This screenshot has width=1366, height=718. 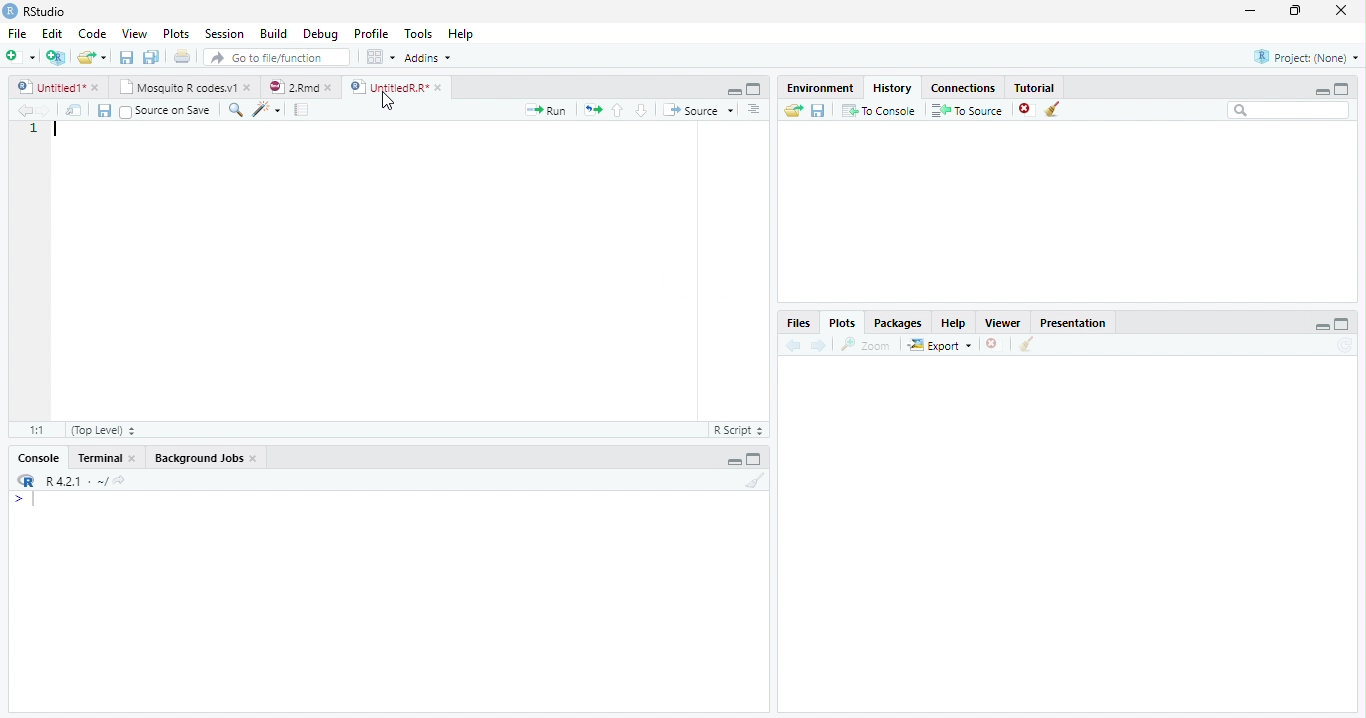 What do you see at coordinates (236, 109) in the screenshot?
I see `Find/Replace` at bounding box center [236, 109].